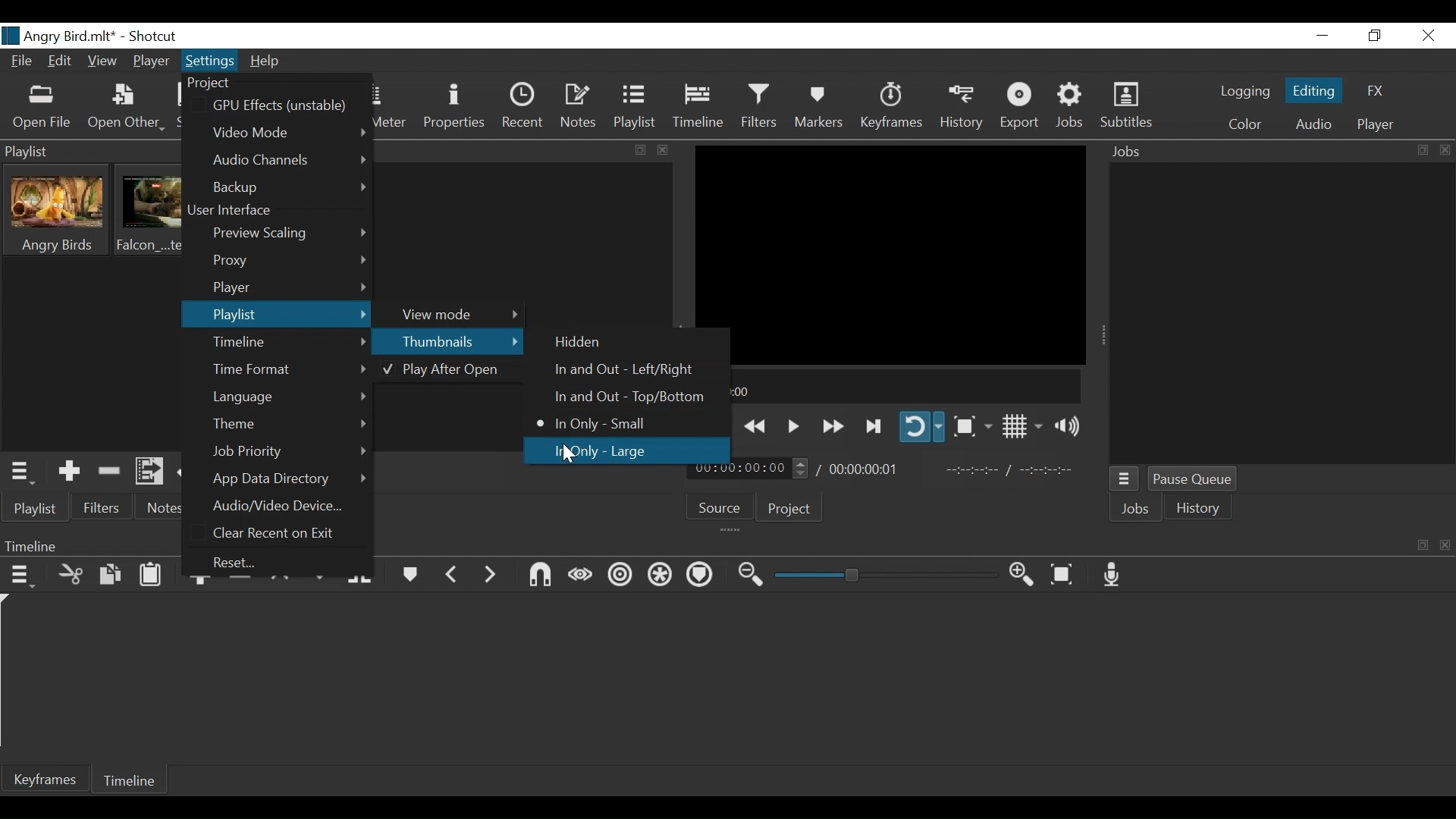 The width and height of the screenshot is (1456, 819). I want to click on Add files to the playlist, so click(149, 472).